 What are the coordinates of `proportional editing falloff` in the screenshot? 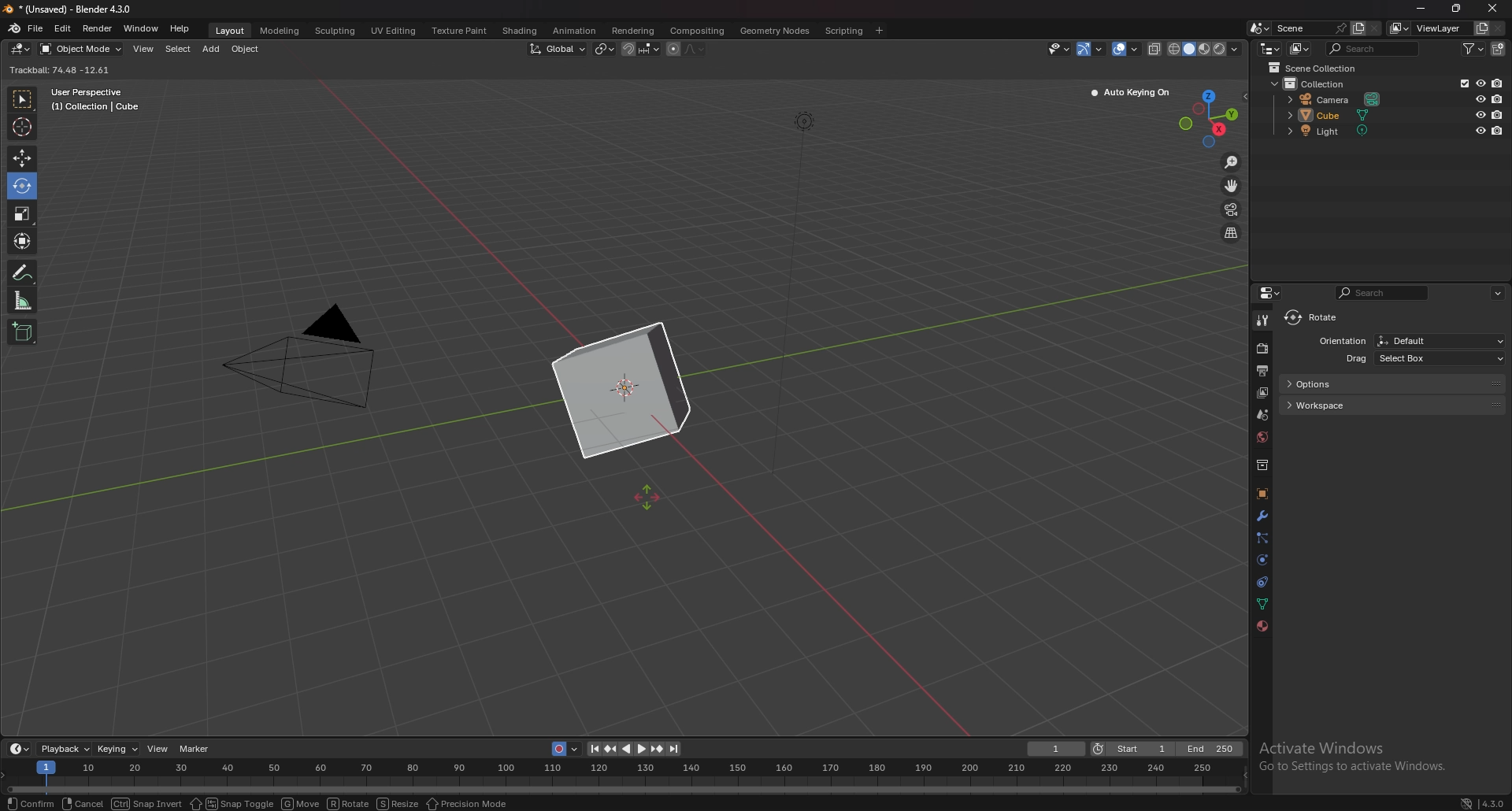 It's located at (694, 49).